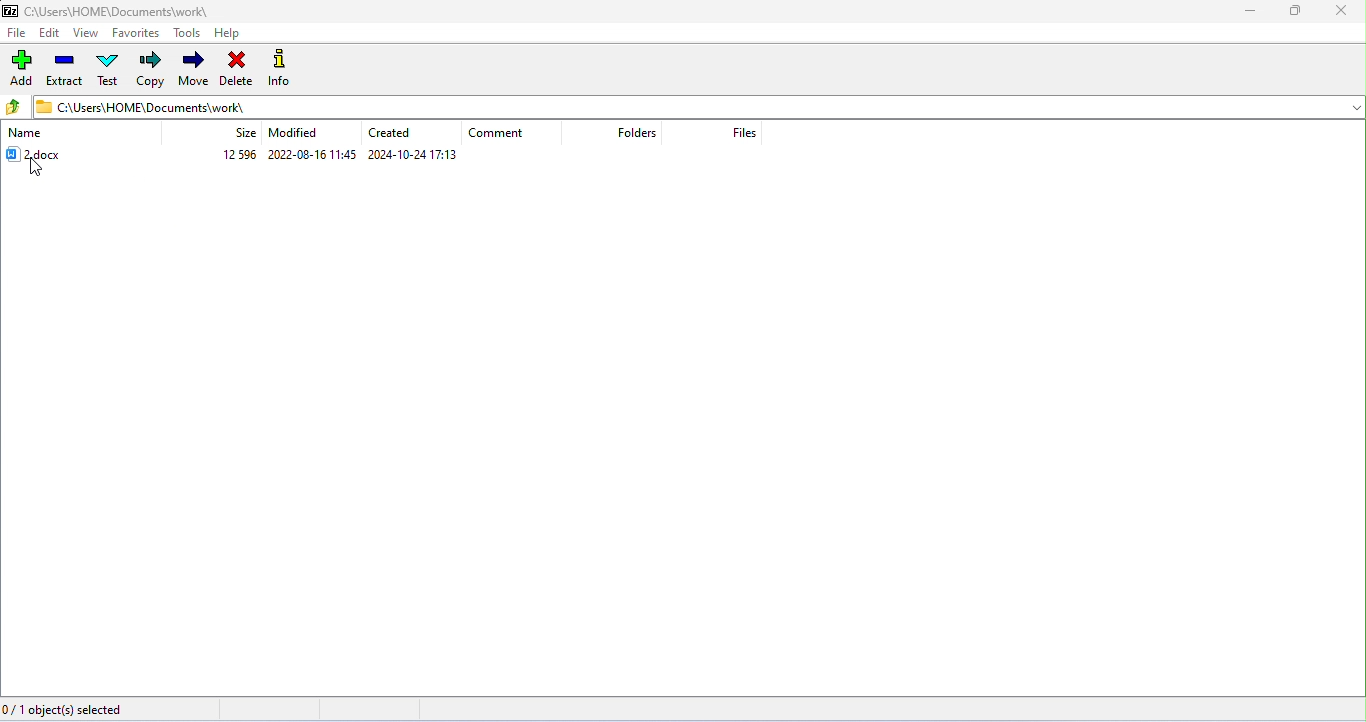 Image resolution: width=1366 pixels, height=722 pixels. Describe the element at coordinates (1252, 14) in the screenshot. I see `minimize` at that location.